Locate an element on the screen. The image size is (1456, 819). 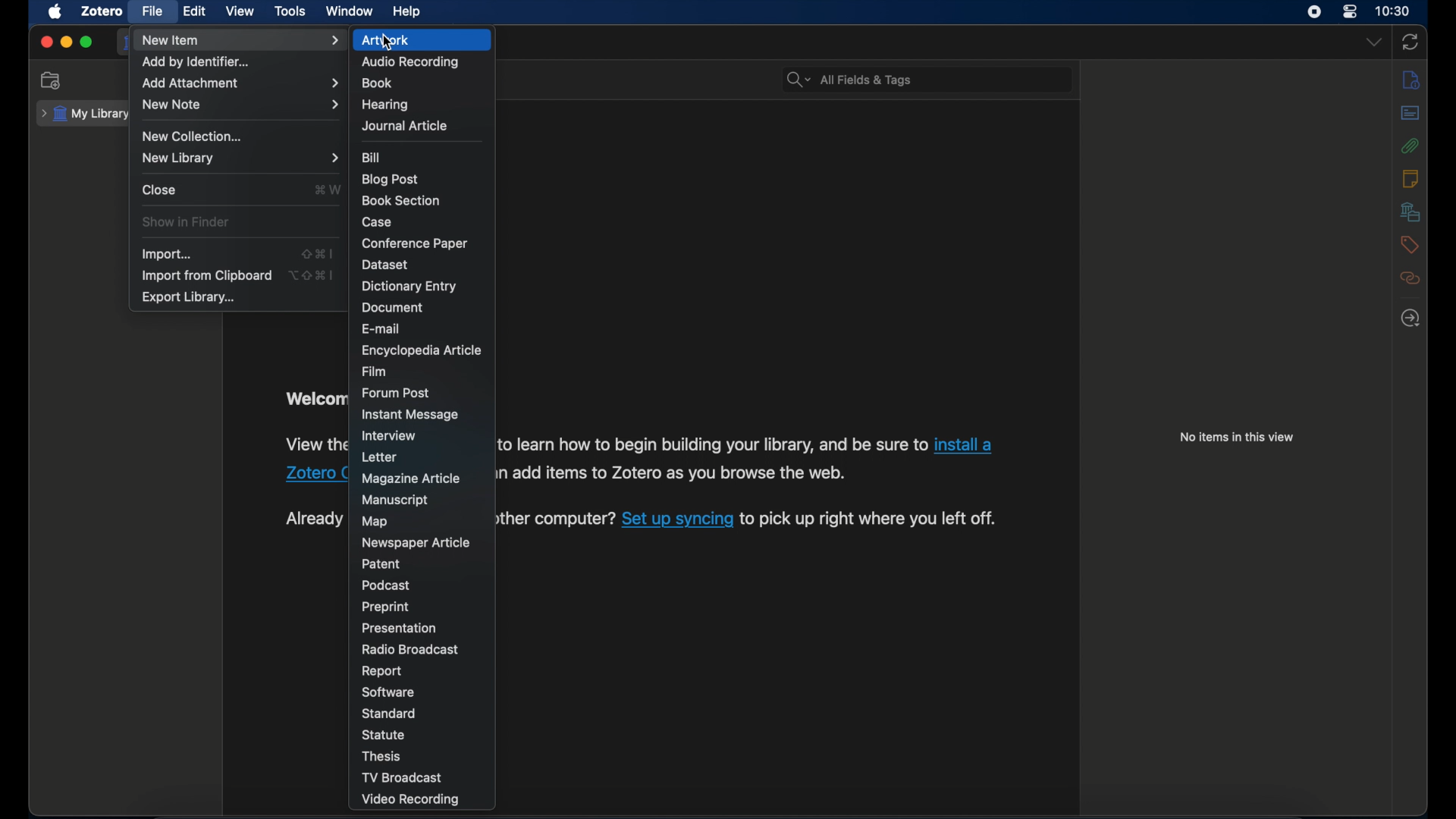
standard is located at coordinates (390, 714).